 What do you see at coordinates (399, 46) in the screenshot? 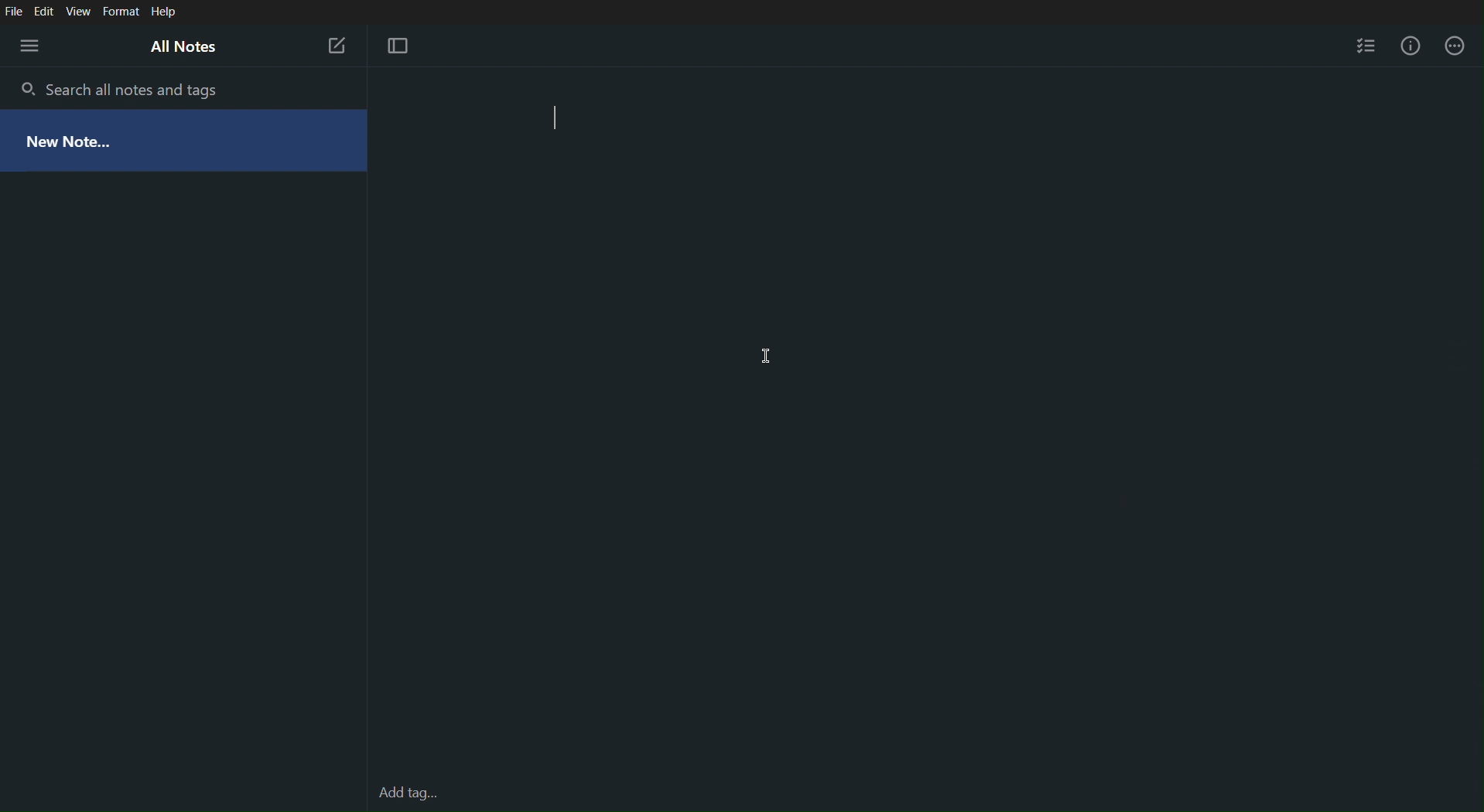
I see `Focus Mode` at bounding box center [399, 46].